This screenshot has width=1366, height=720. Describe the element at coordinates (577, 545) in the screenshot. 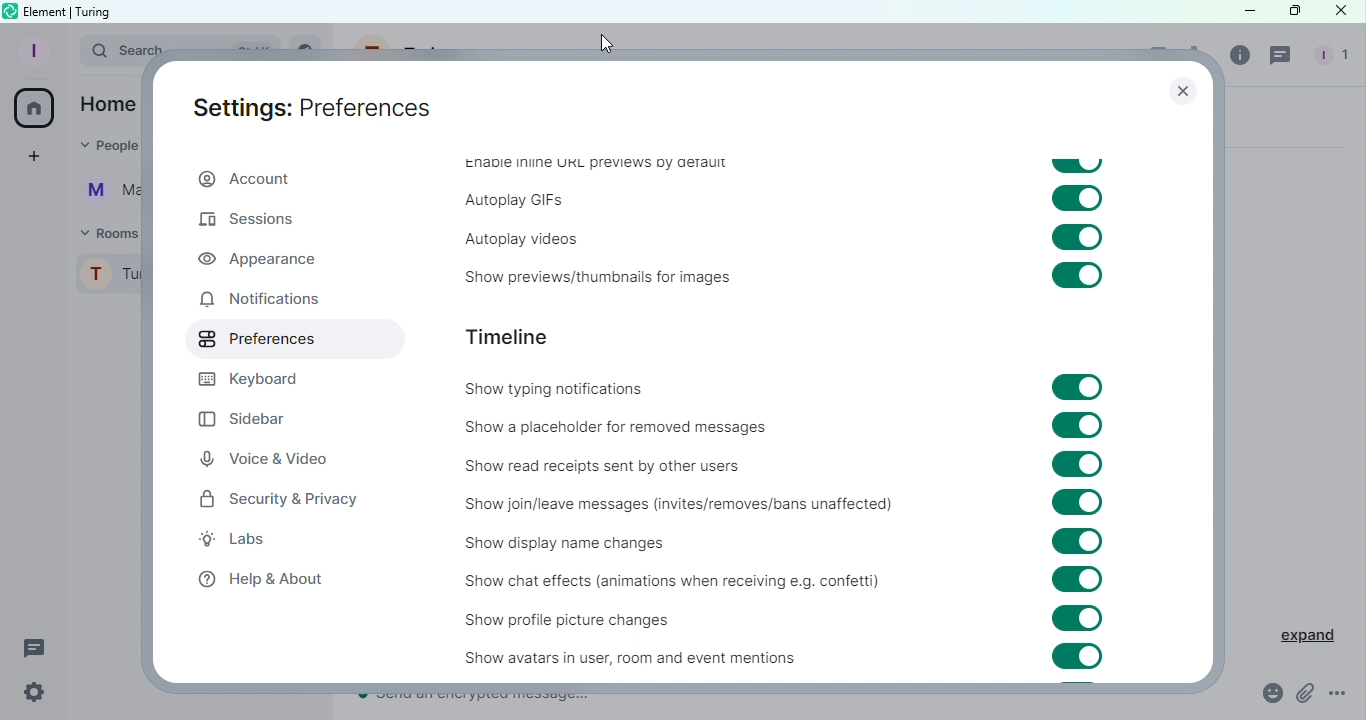

I see `Show display name changes` at that location.